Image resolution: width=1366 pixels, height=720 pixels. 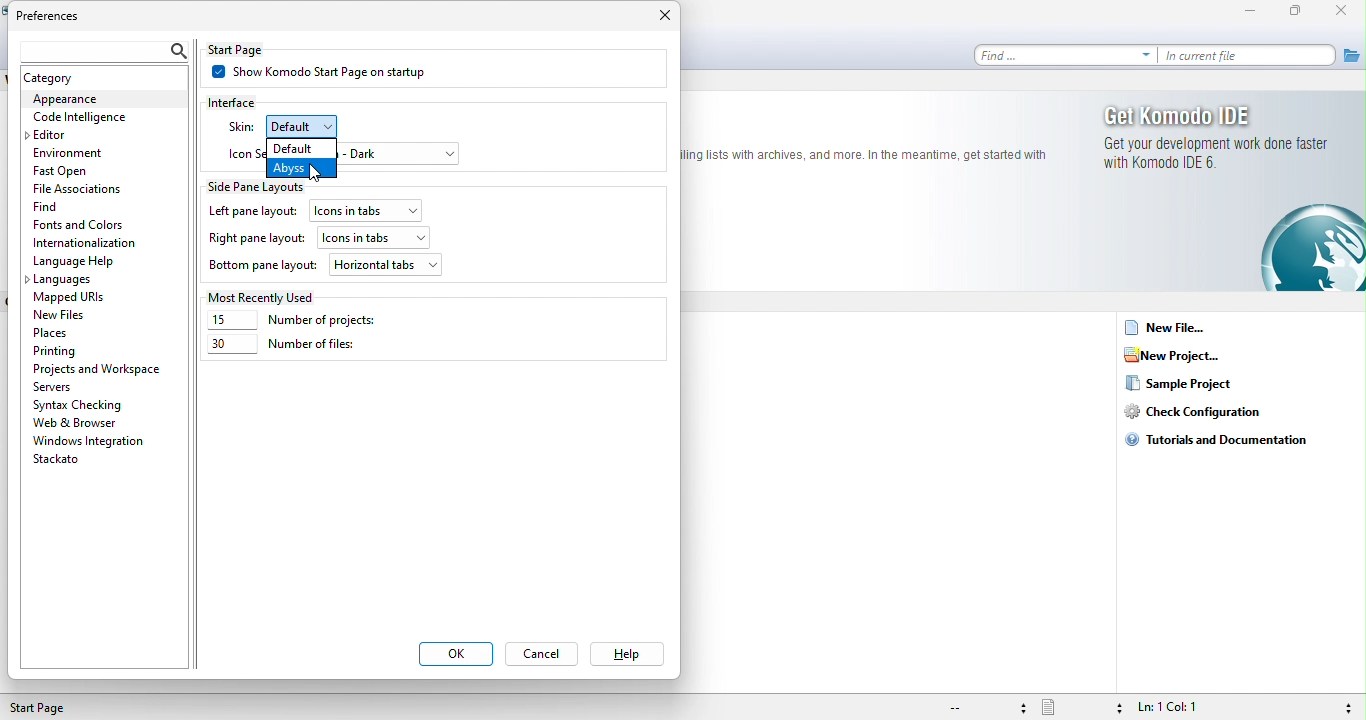 I want to click on file type, so click(x=1081, y=707).